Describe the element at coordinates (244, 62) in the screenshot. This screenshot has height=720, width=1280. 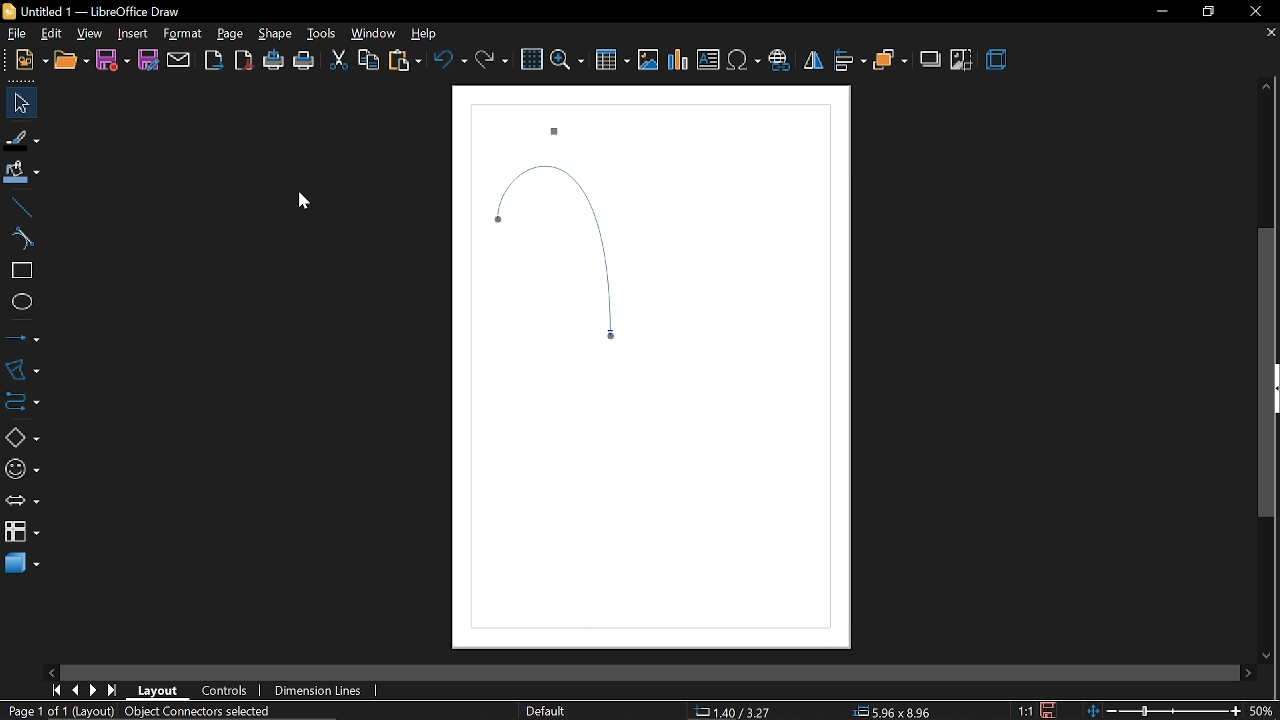
I see `export as pdf` at that location.